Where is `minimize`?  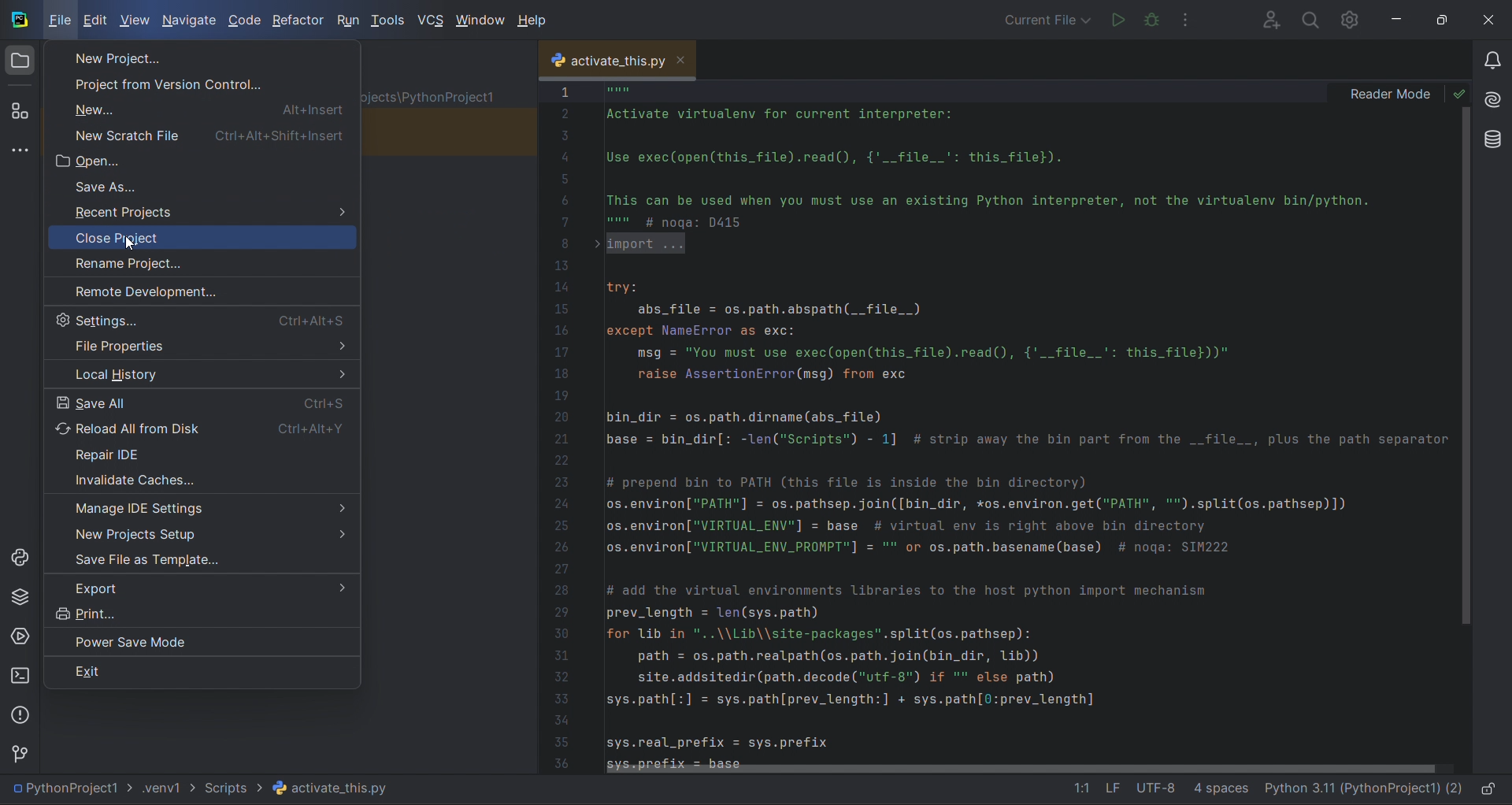 minimize is located at coordinates (1393, 18).